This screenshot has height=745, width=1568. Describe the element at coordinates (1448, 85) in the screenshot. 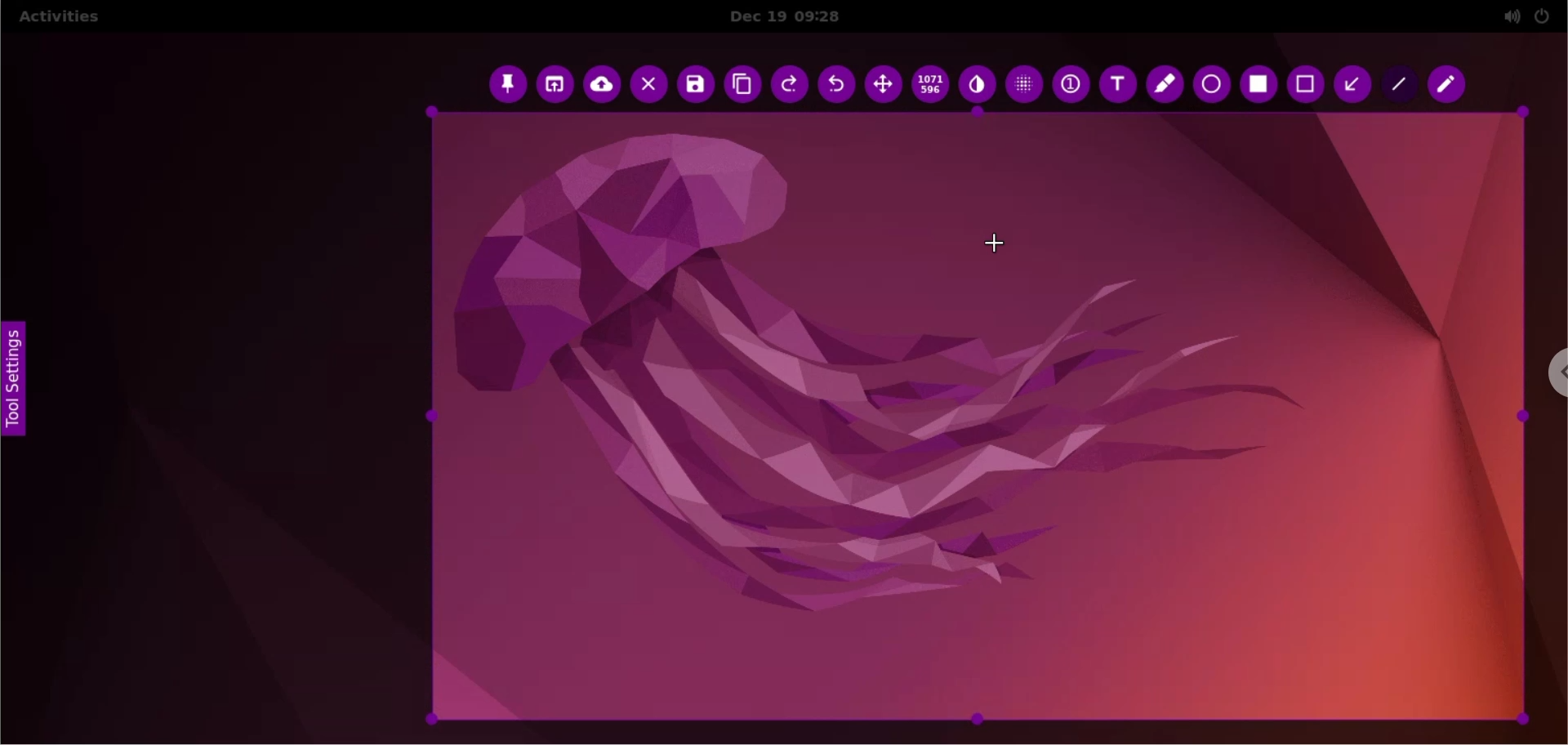

I see `pencil` at that location.